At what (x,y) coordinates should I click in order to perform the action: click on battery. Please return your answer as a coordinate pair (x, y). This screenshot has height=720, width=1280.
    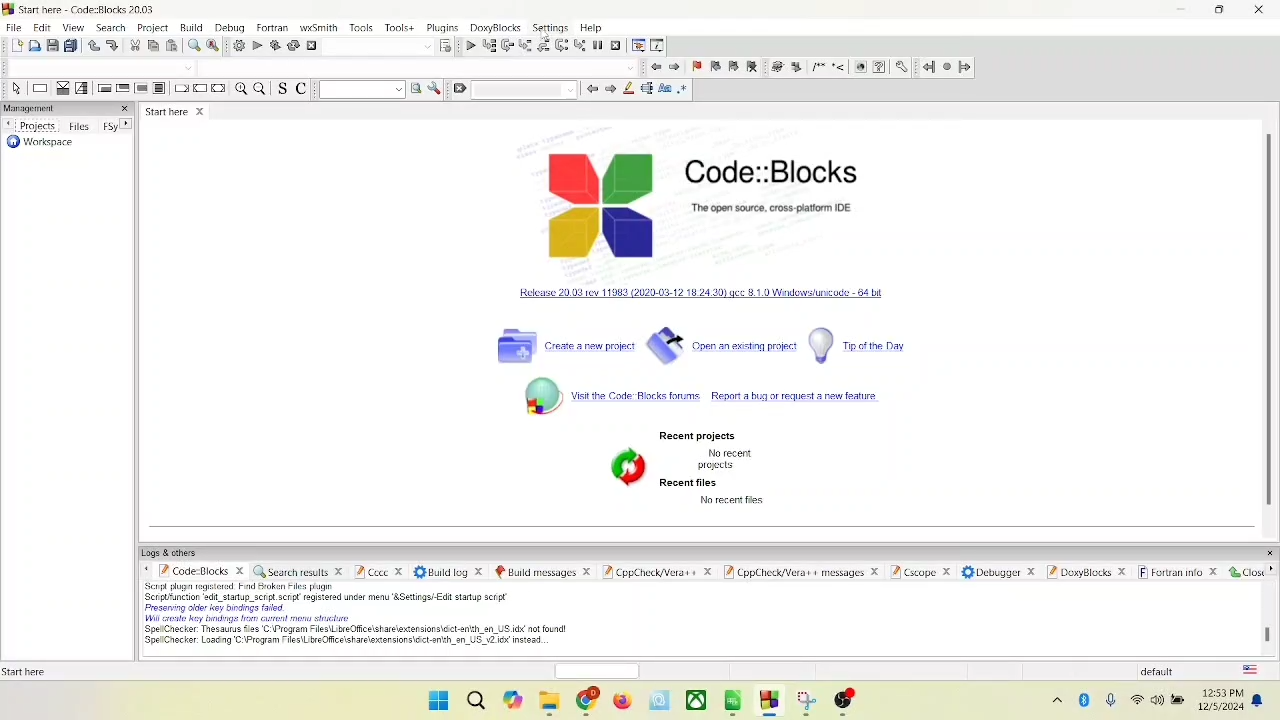
    Looking at the image, I should click on (1178, 697).